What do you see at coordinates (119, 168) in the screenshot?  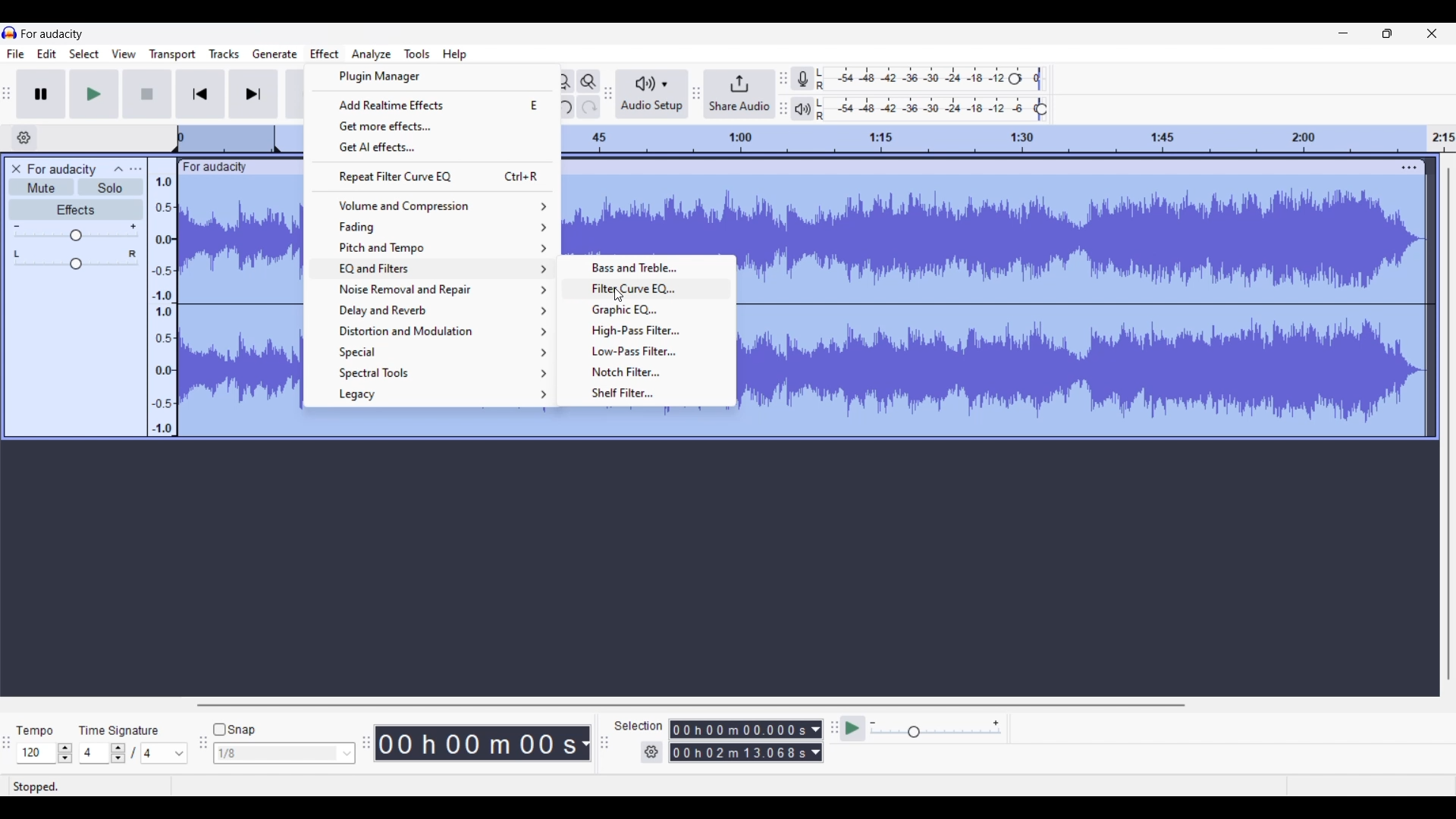 I see `Collapse` at bounding box center [119, 168].